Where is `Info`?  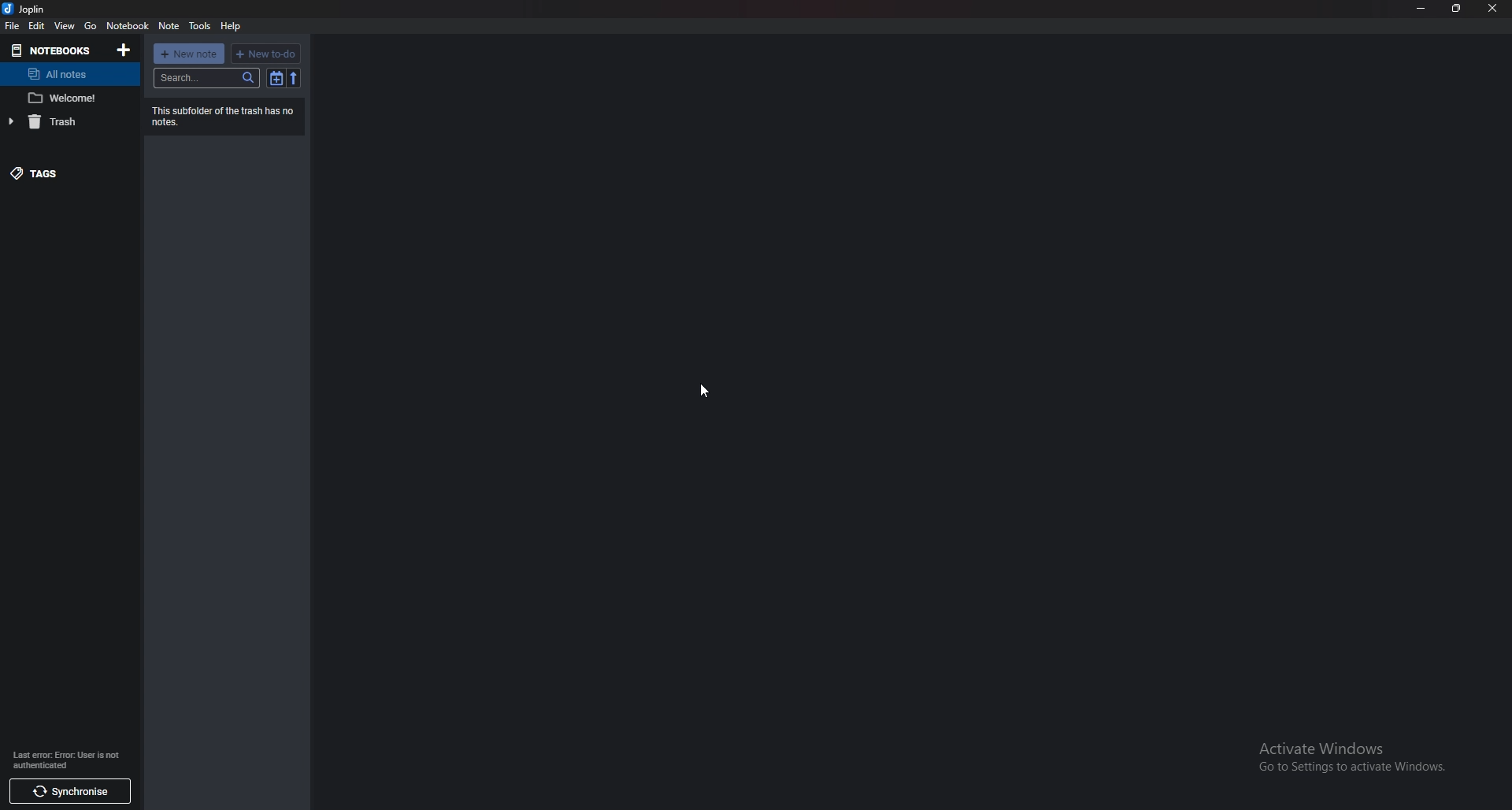 Info is located at coordinates (224, 115).